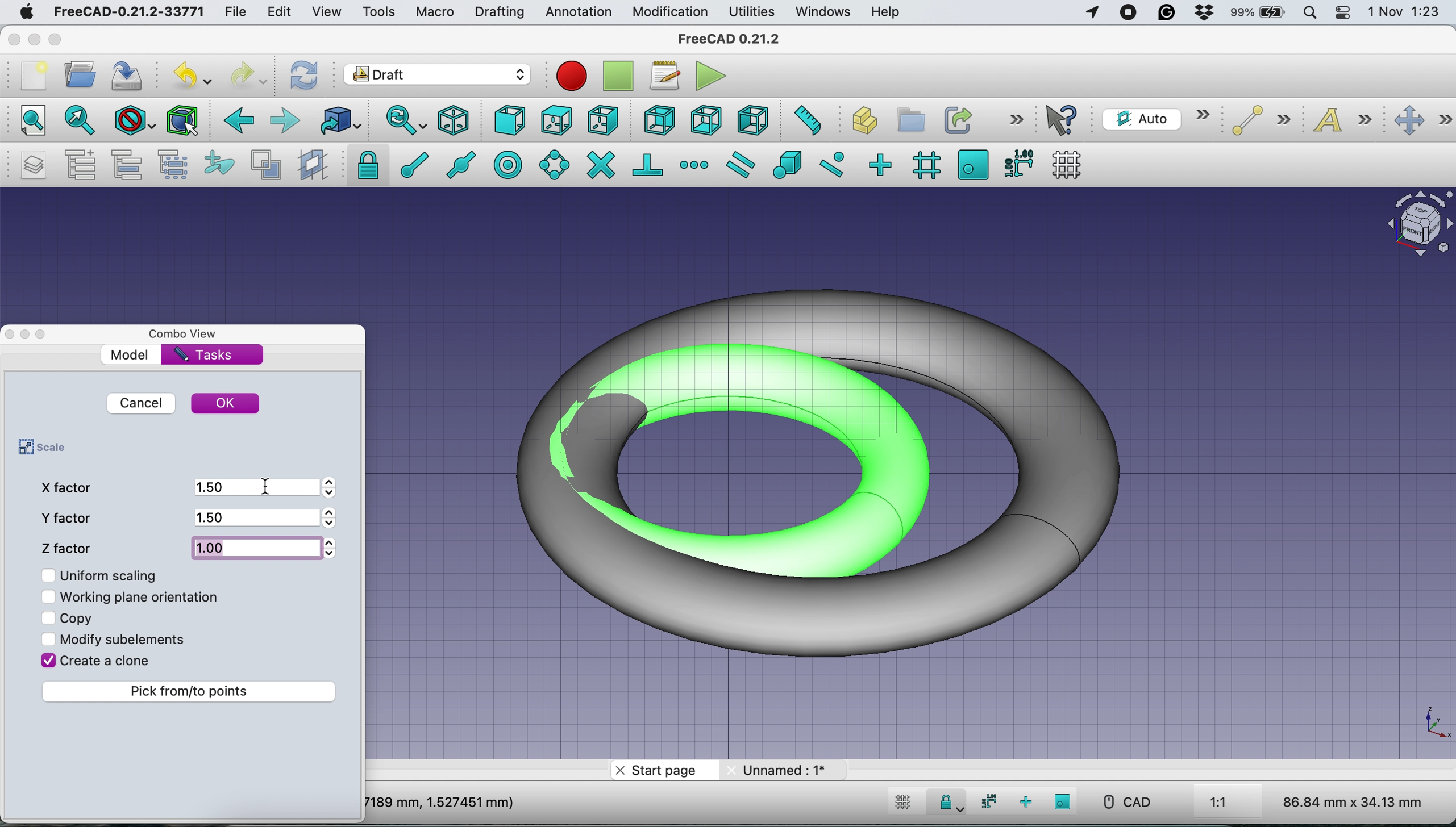 Image resolution: width=1456 pixels, height=827 pixels. I want to click on backward, so click(238, 124).